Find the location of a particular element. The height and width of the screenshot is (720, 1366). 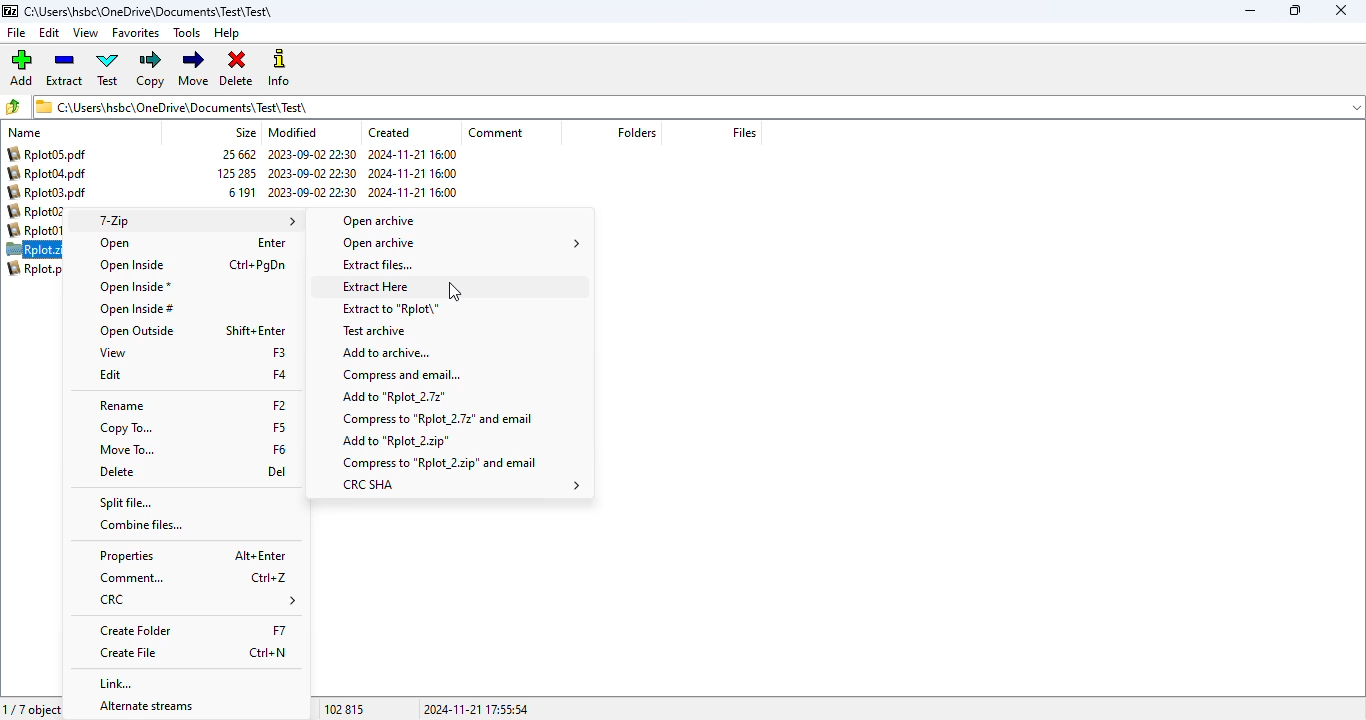

add is located at coordinates (20, 67).